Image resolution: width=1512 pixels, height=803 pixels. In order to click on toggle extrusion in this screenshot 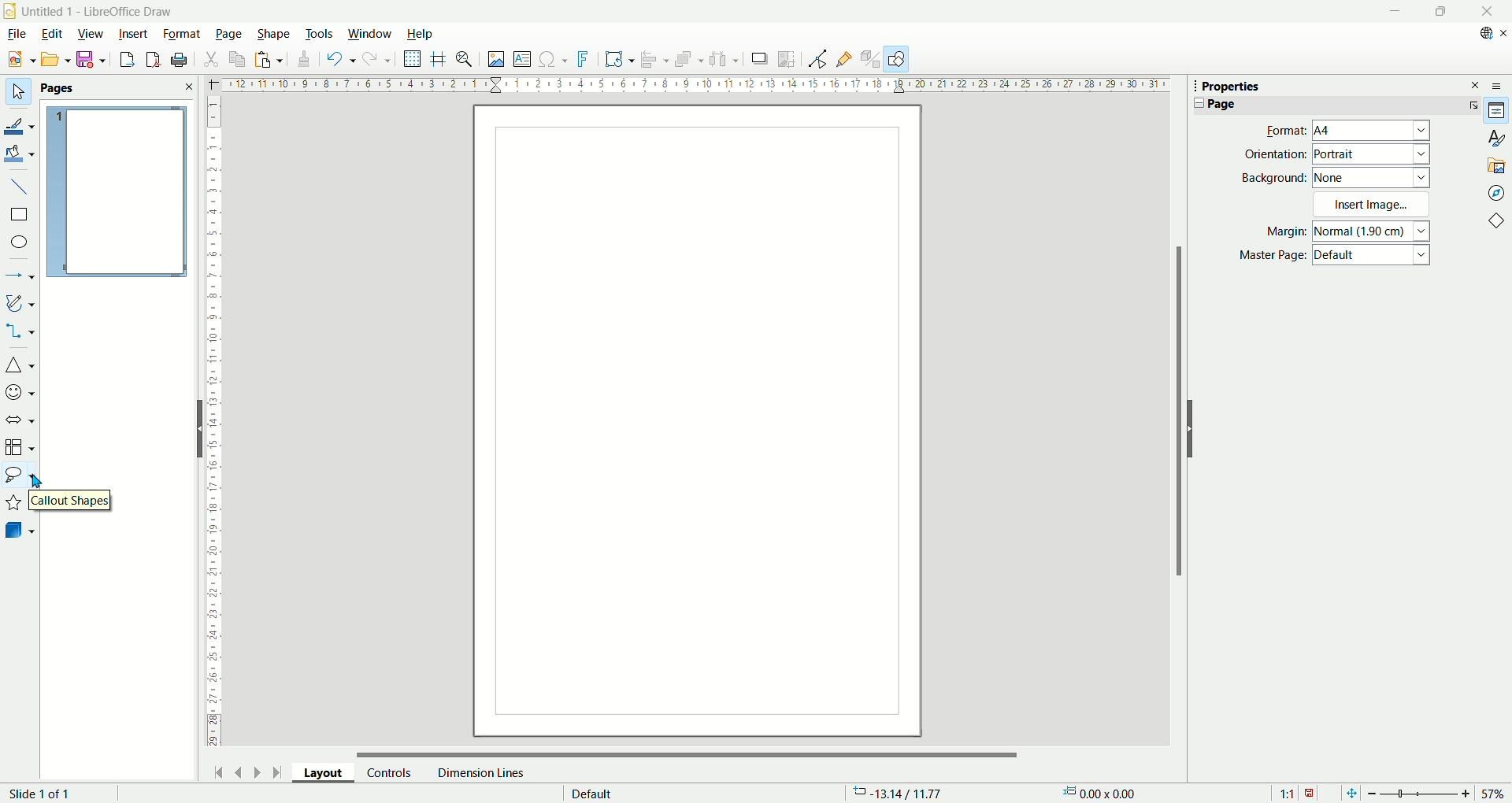, I will do `click(871, 60)`.